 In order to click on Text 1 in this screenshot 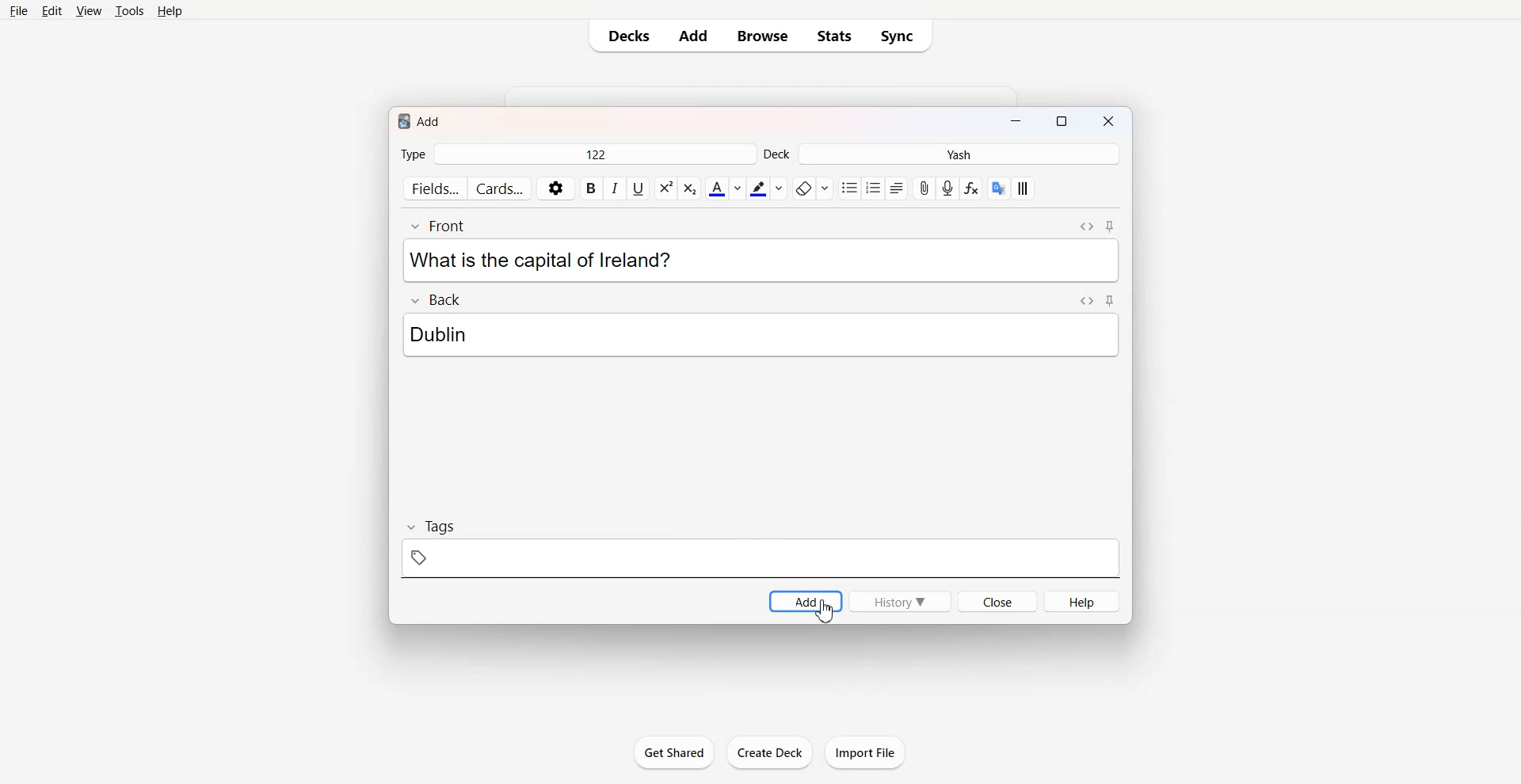, I will do `click(421, 120)`.